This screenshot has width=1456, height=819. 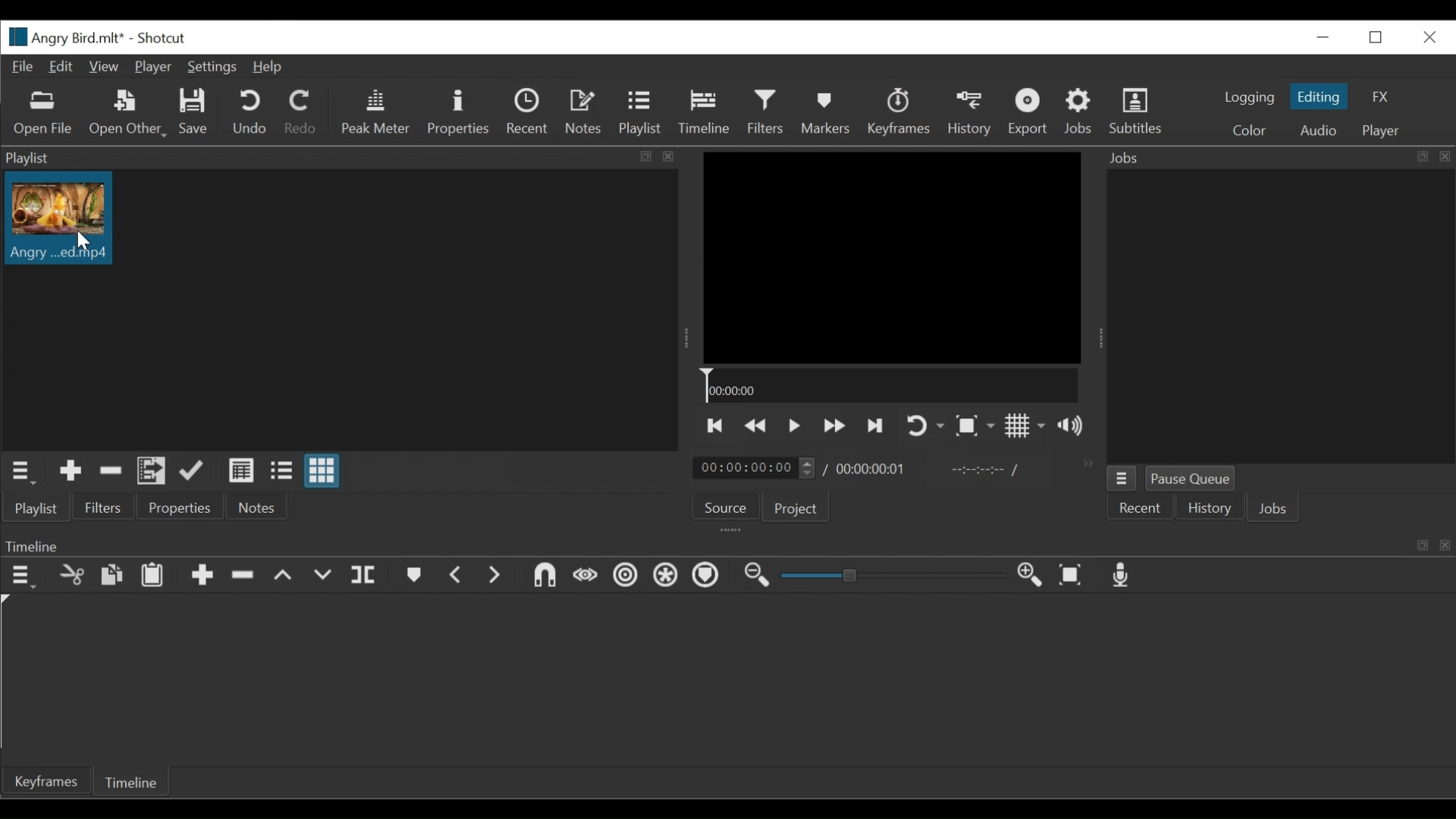 I want to click on Restore, so click(x=1377, y=39).